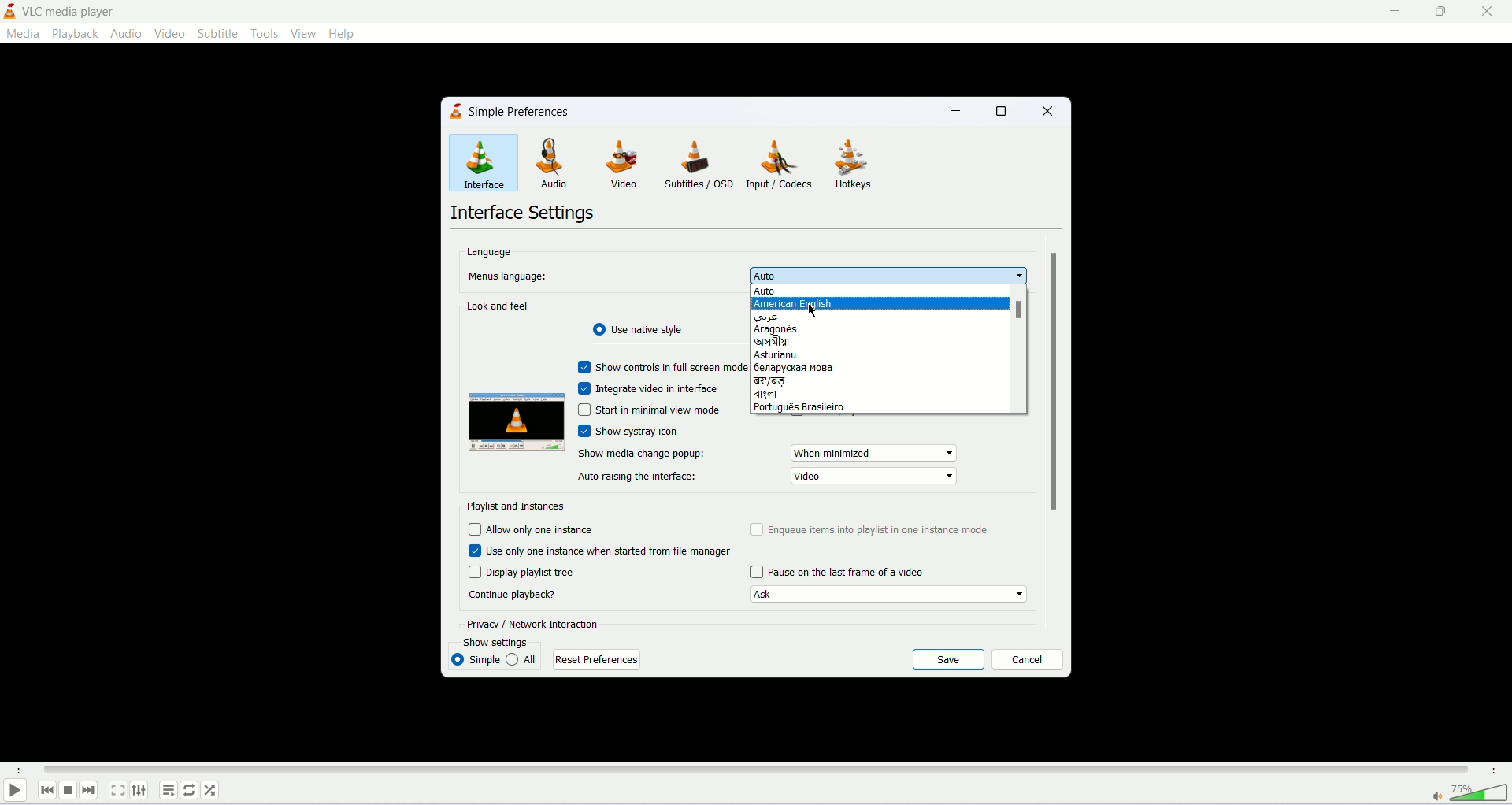 This screenshot has width=1512, height=805. Describe the element at coordinates (72, 9) in the screenshot. I see `vlc media player` at that location.